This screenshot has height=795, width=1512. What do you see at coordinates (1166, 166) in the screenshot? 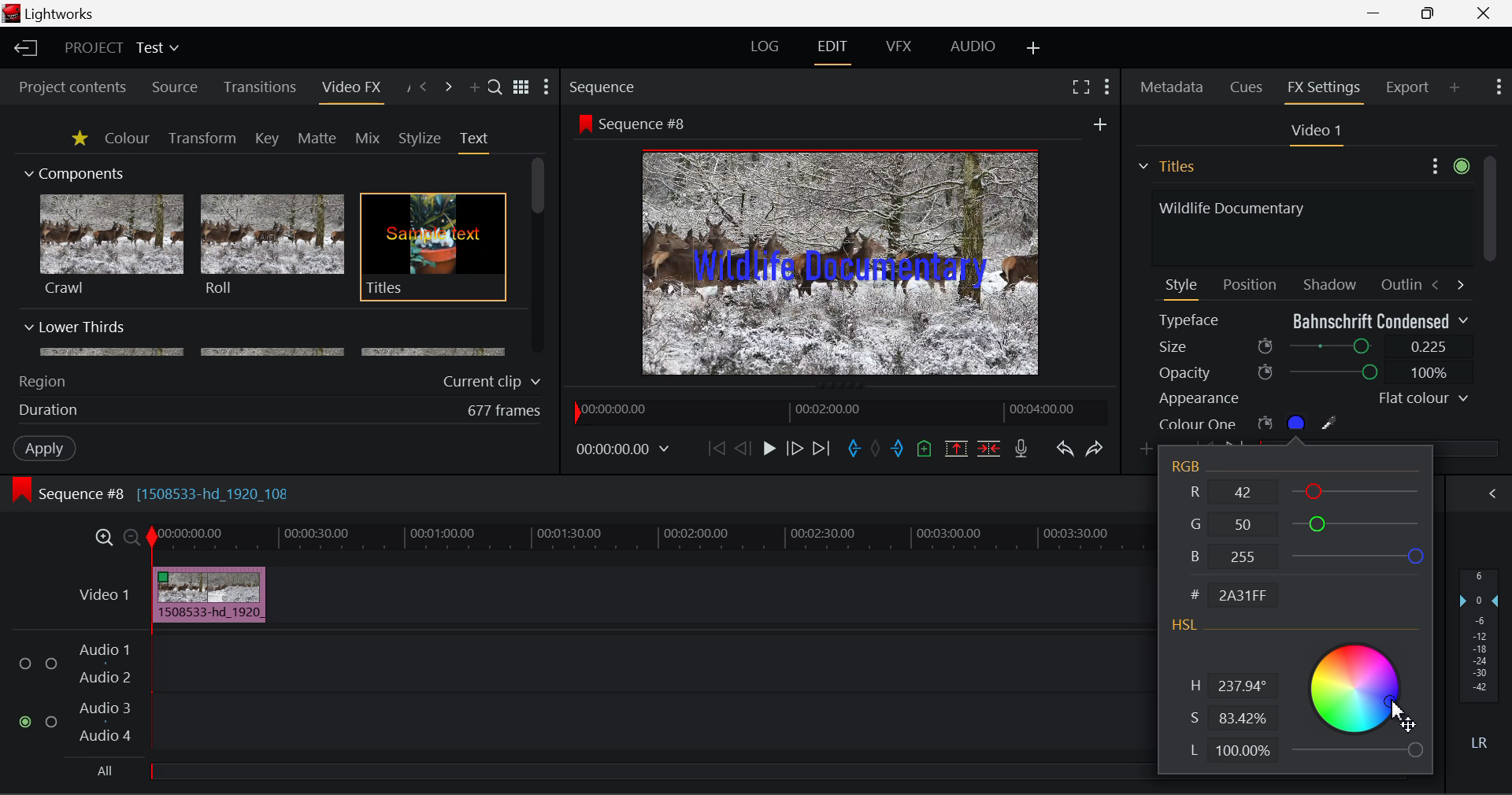
I see `Titles Section` at bounding box center [1166, 166].